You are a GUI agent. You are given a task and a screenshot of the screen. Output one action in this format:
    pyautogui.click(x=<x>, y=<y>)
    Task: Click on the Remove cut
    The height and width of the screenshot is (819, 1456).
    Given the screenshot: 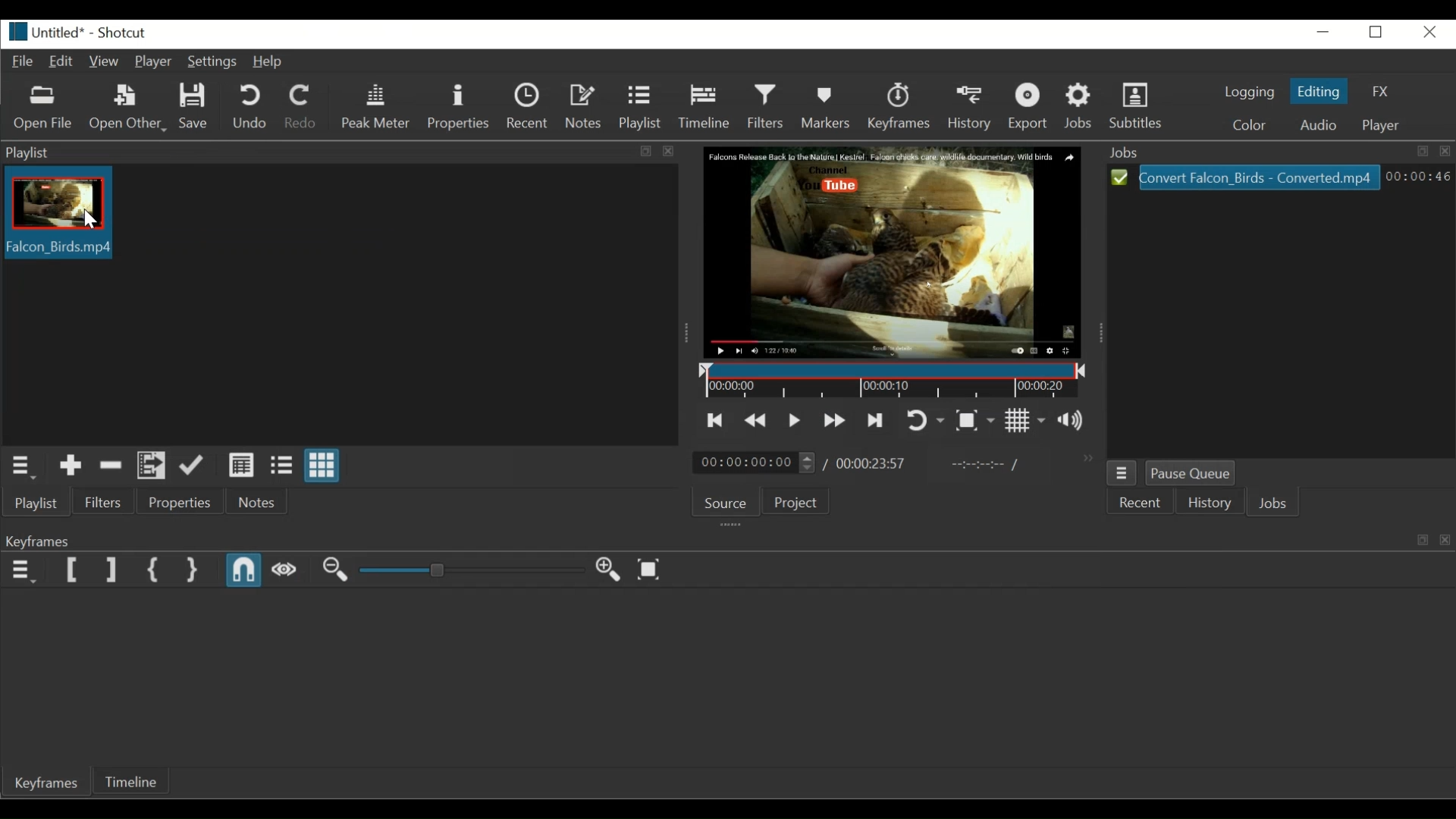 What is the action you would take?
    pyautogui.click(x=112, y=466)
    